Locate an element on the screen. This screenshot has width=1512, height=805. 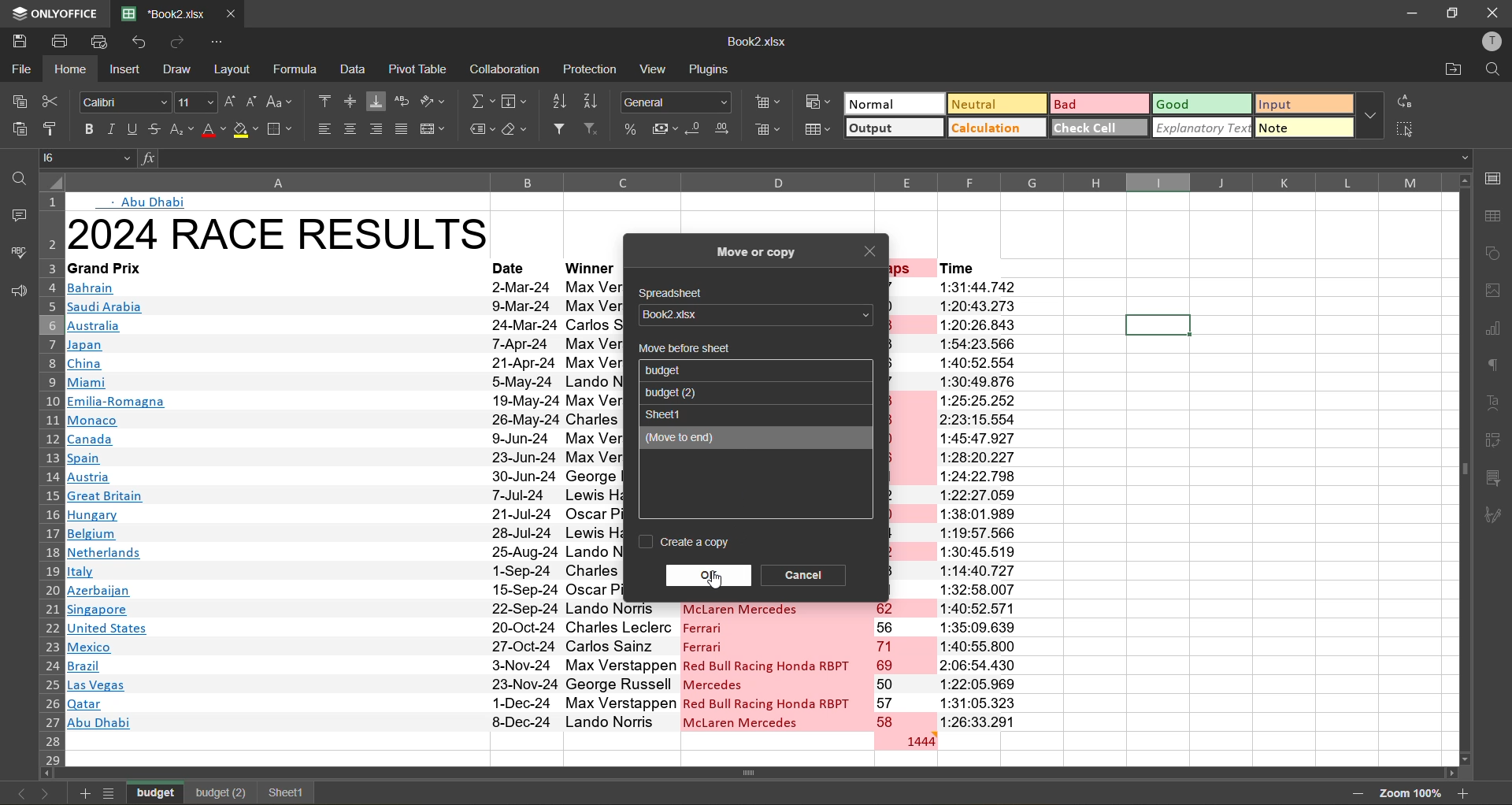
signature is located at coordinates (1498, 515).